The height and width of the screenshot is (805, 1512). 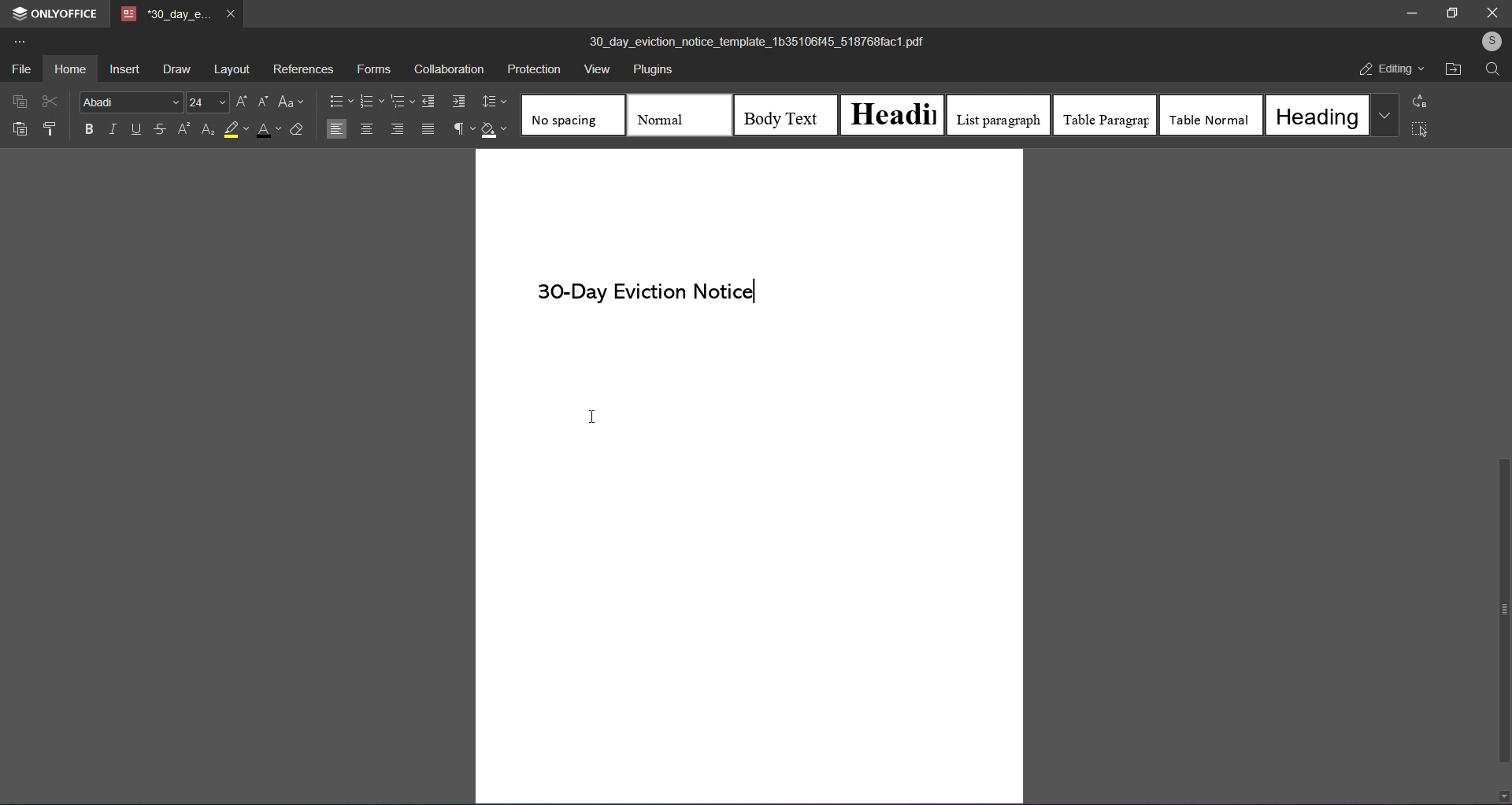 I want to click on open file location, so click(x=1452, y=69).